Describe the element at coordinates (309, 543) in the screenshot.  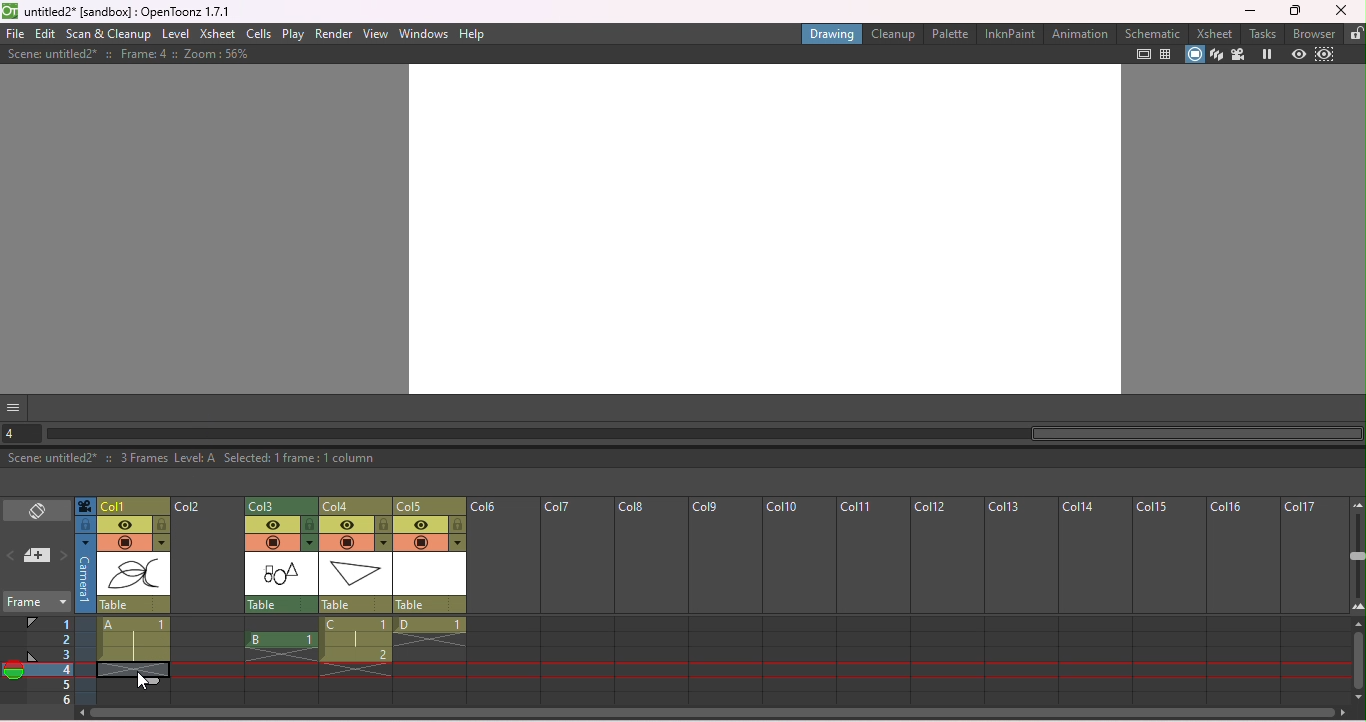
I see `Additional column settings` at that location.